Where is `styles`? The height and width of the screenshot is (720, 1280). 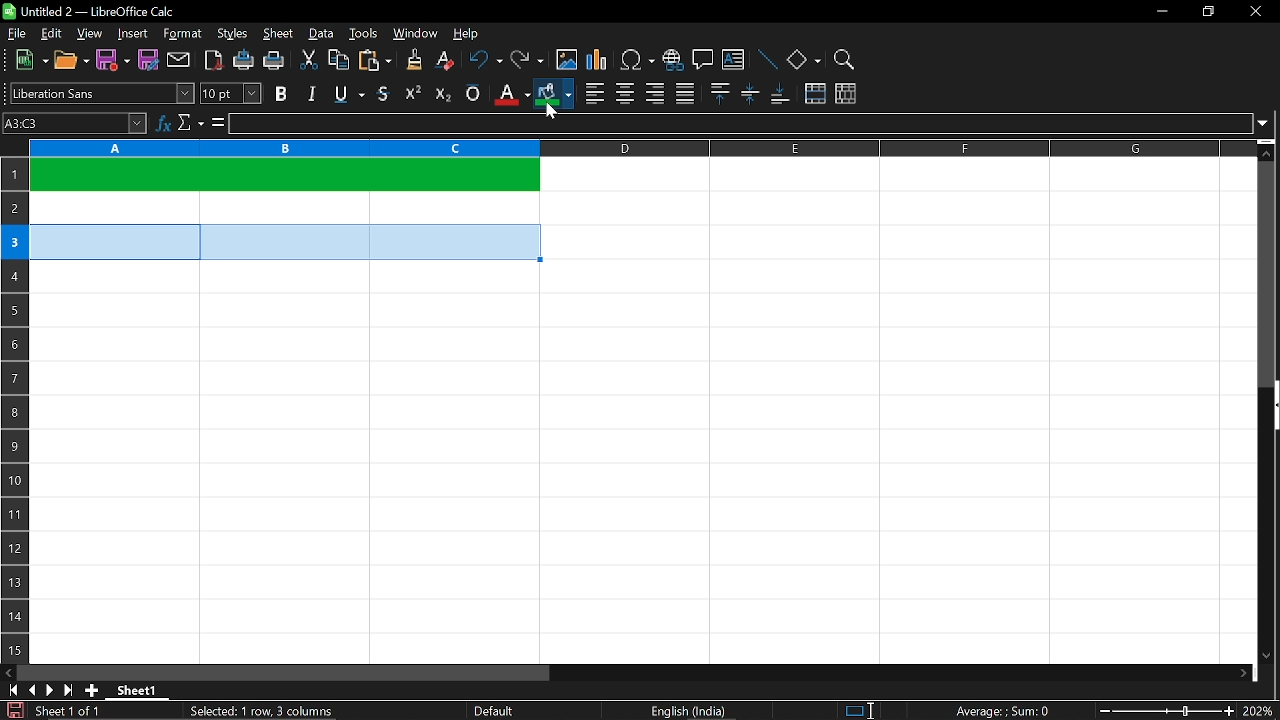 styles is located at coordinates (232, 35).